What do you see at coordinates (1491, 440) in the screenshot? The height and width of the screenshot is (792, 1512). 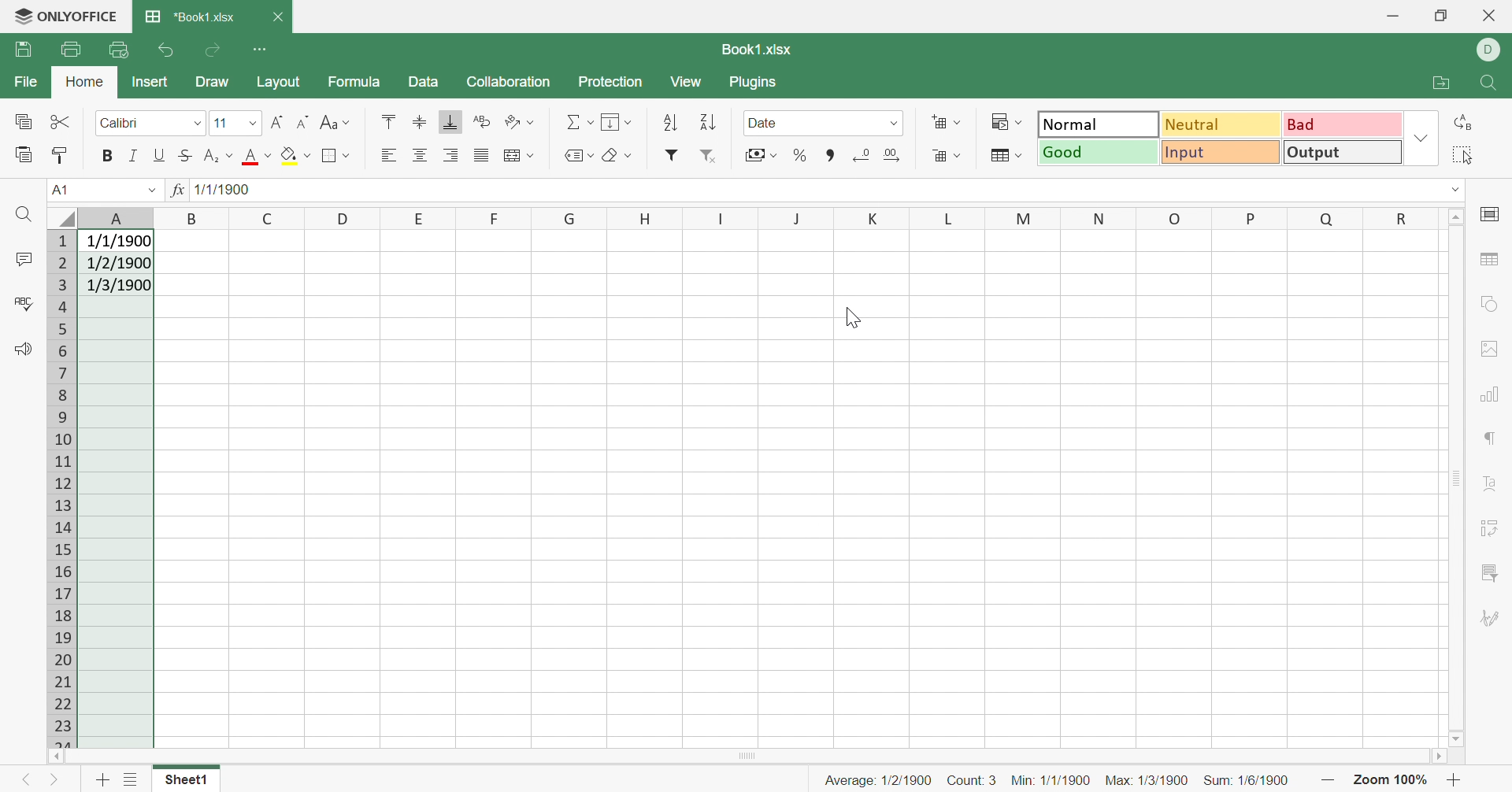 I see `Paragraph settings` at bounding box center [1491, 440].